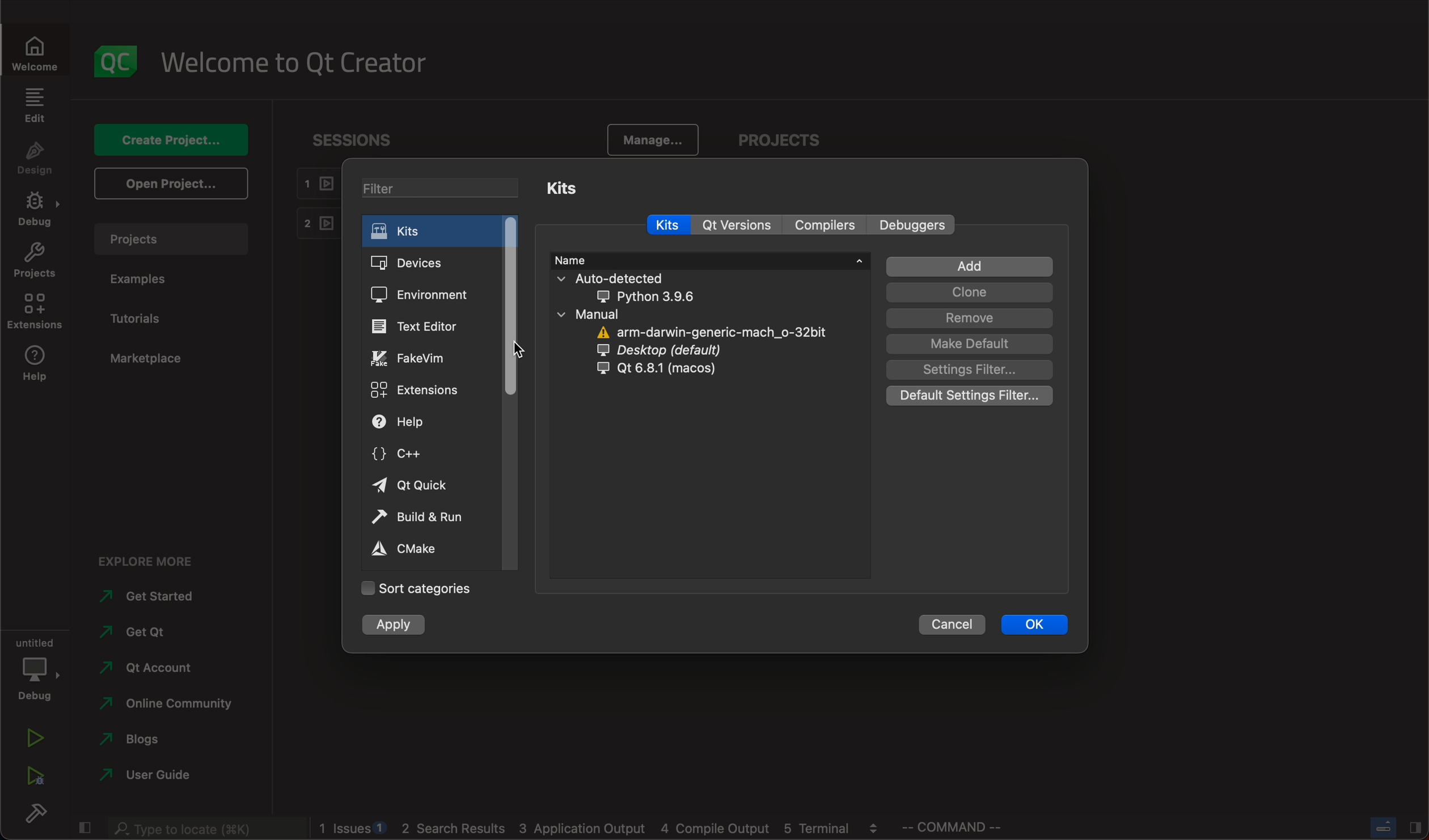  What do you see at coordinates (171, 239) in the screenshot?
I see `projects` at bounding box center [171, 239].